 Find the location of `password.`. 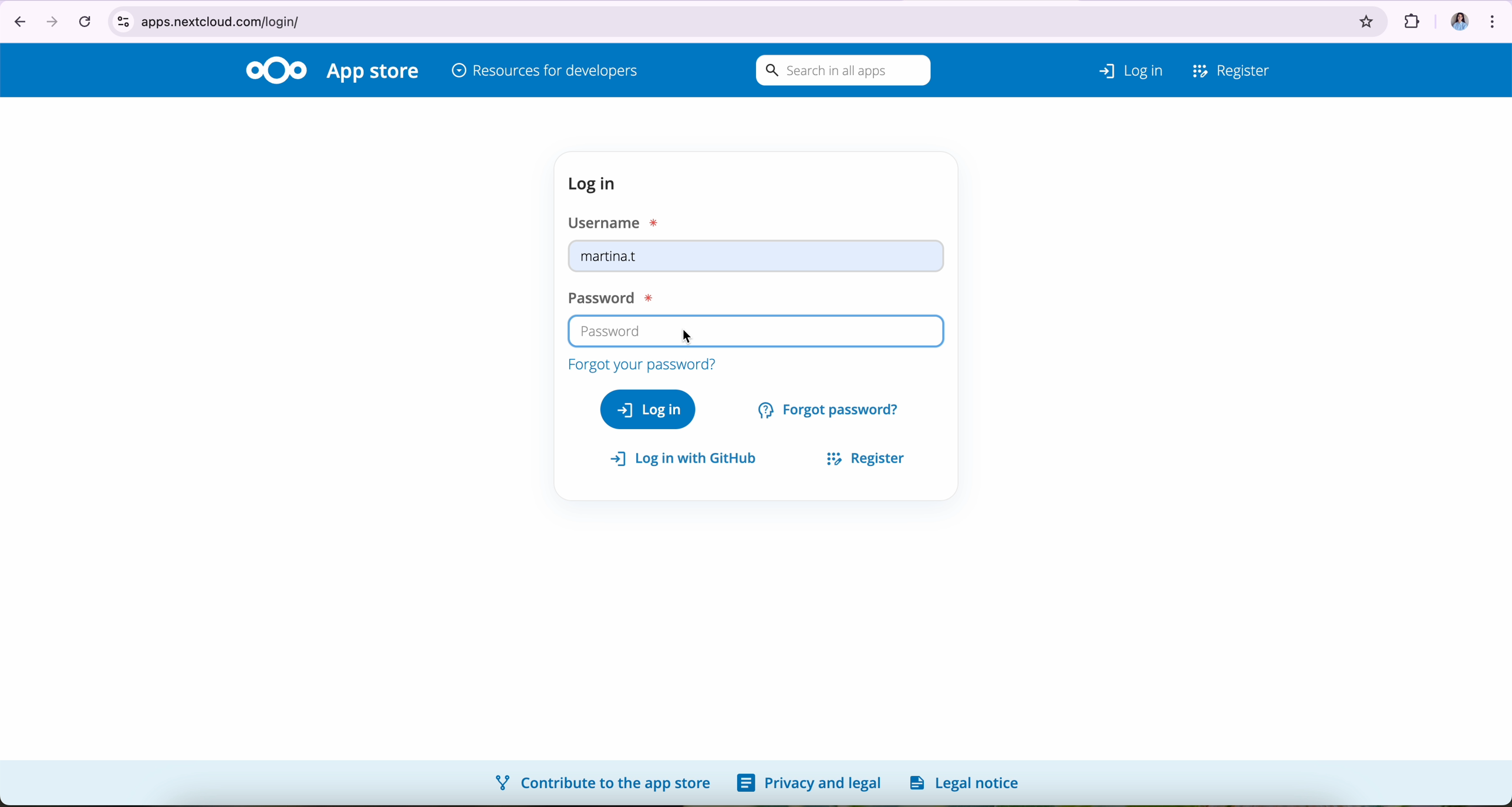

password. is located at coordinates (755, 332).